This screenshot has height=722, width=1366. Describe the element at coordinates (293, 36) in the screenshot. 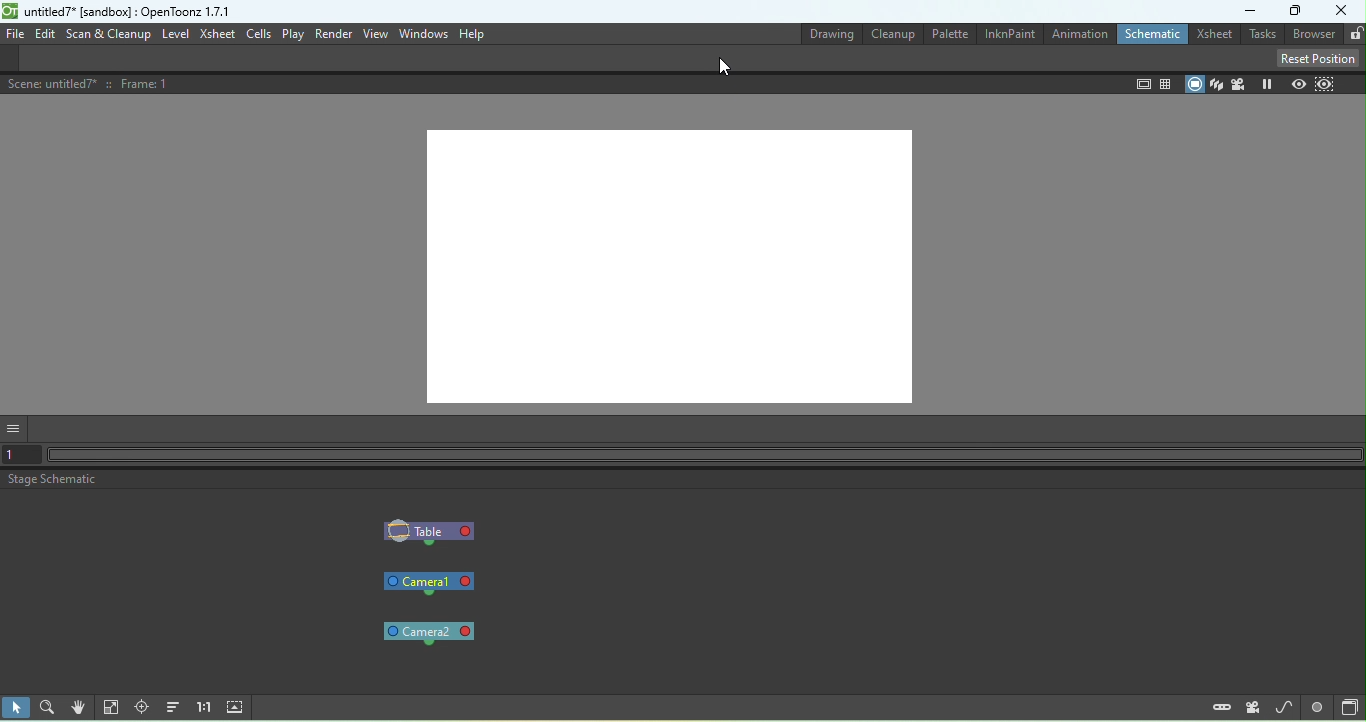

I see `Play` at that location.